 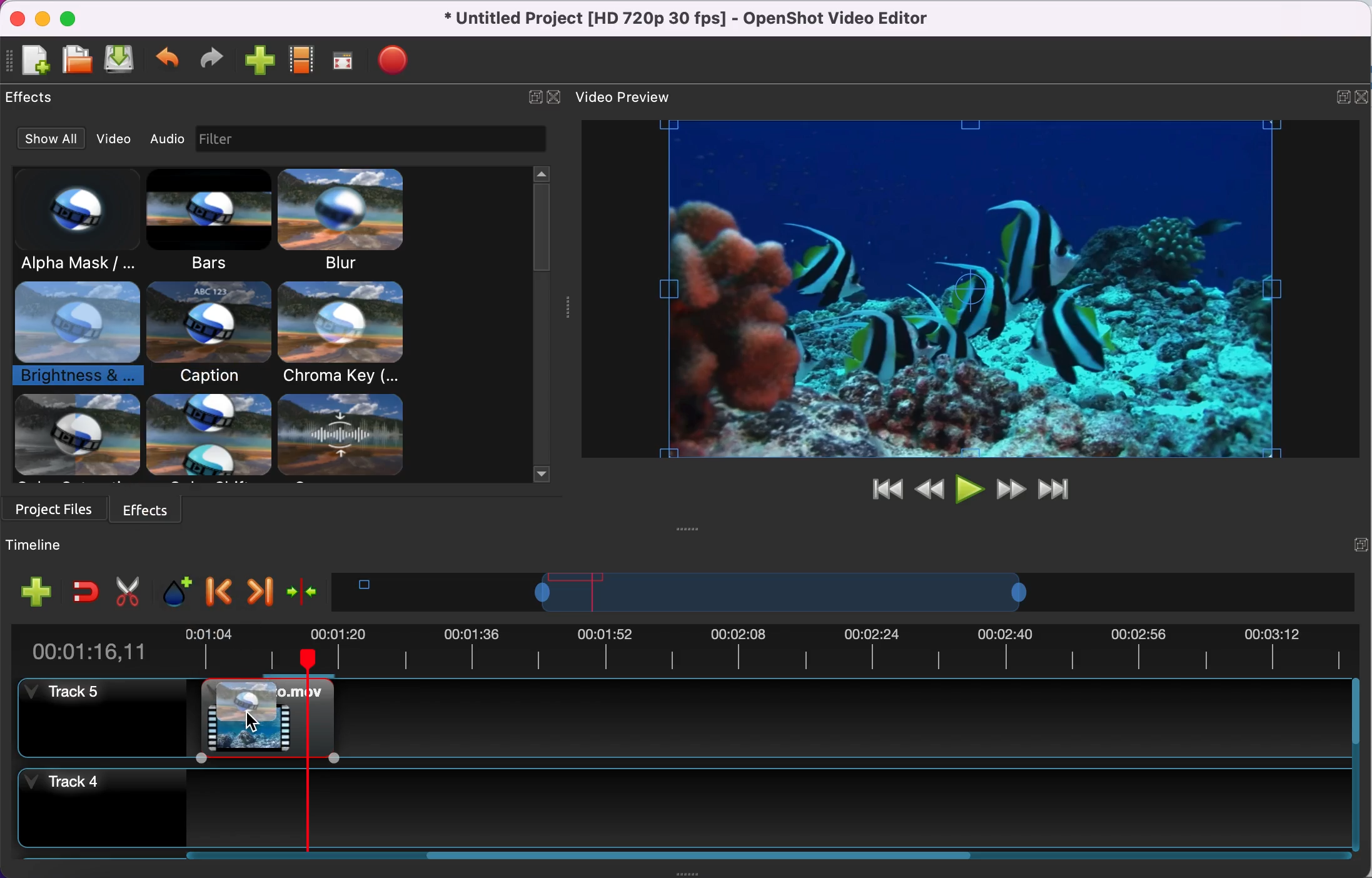 I want to click on close, so click(x=1363, y=95).